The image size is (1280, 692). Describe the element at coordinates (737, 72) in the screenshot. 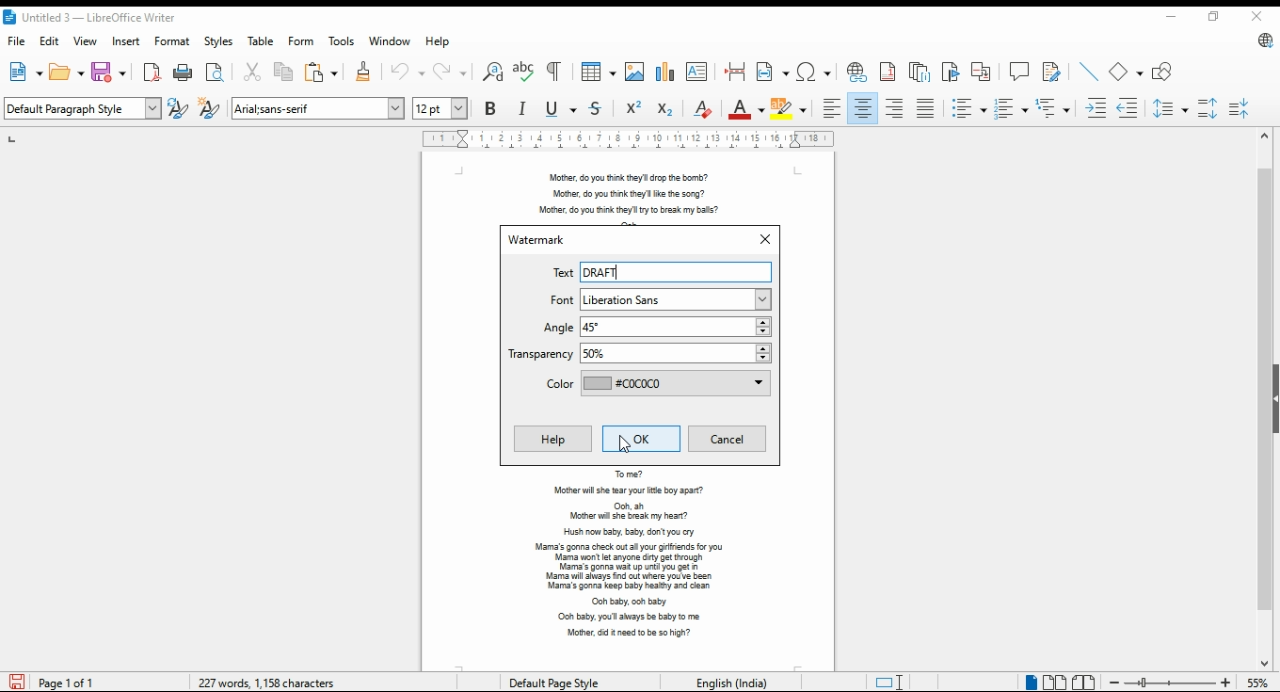

I see `insert page break` at that location.